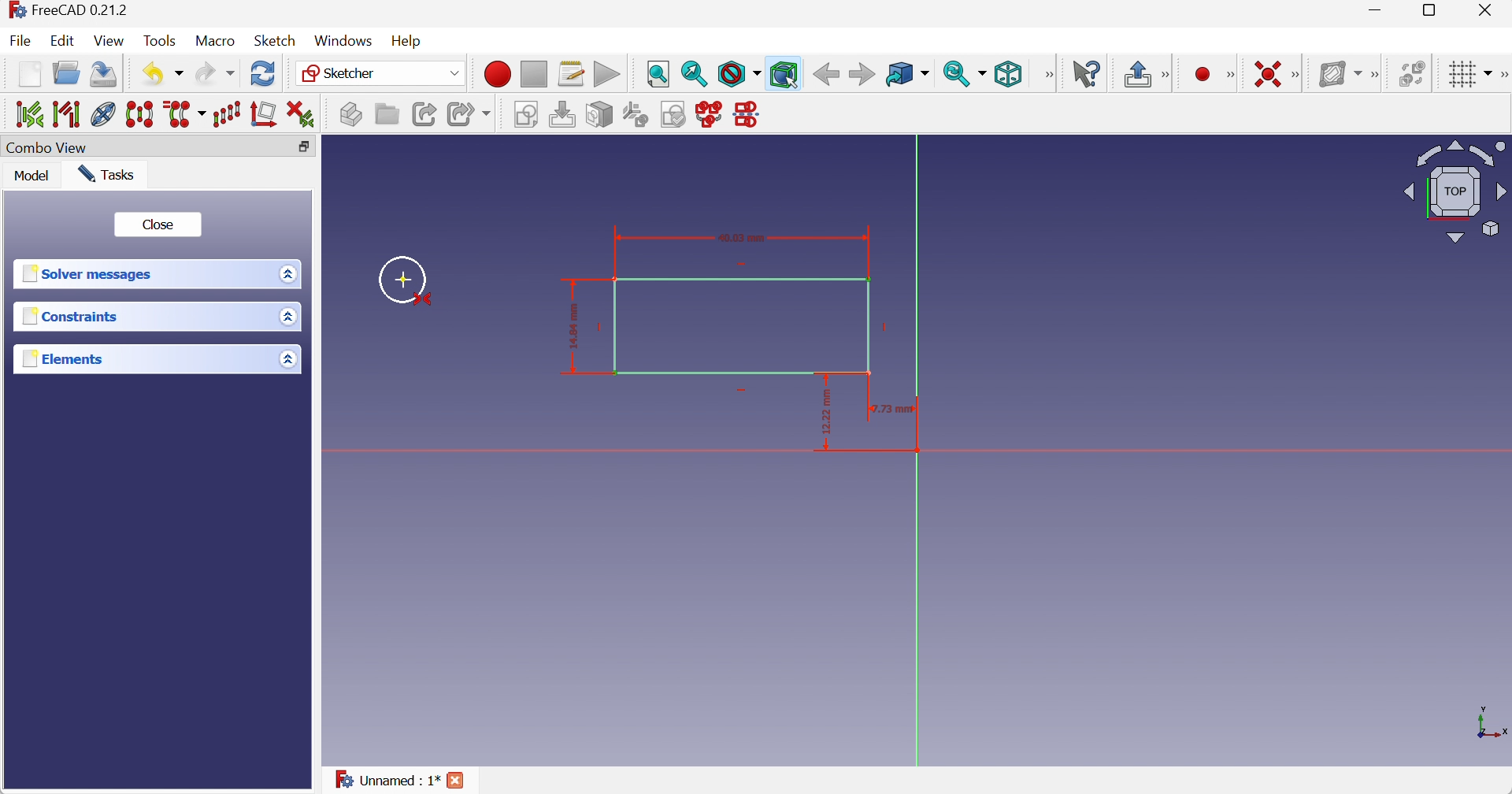  I want to click on Restore down, so click(1435, 11).